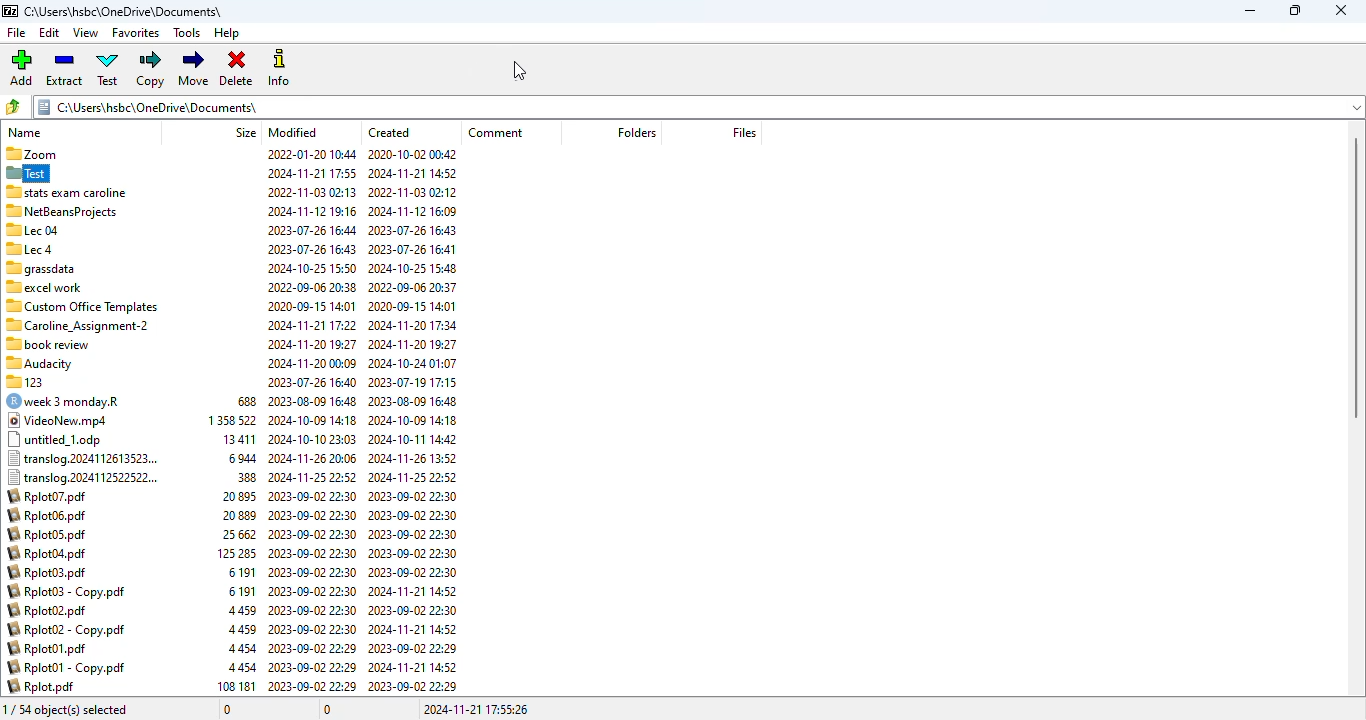  What do you see at coordinates (148, 107) in the screenshot?
I see `C:\Users\hsbc\OneDrive\Documents\` at bounding box center [148, 107].